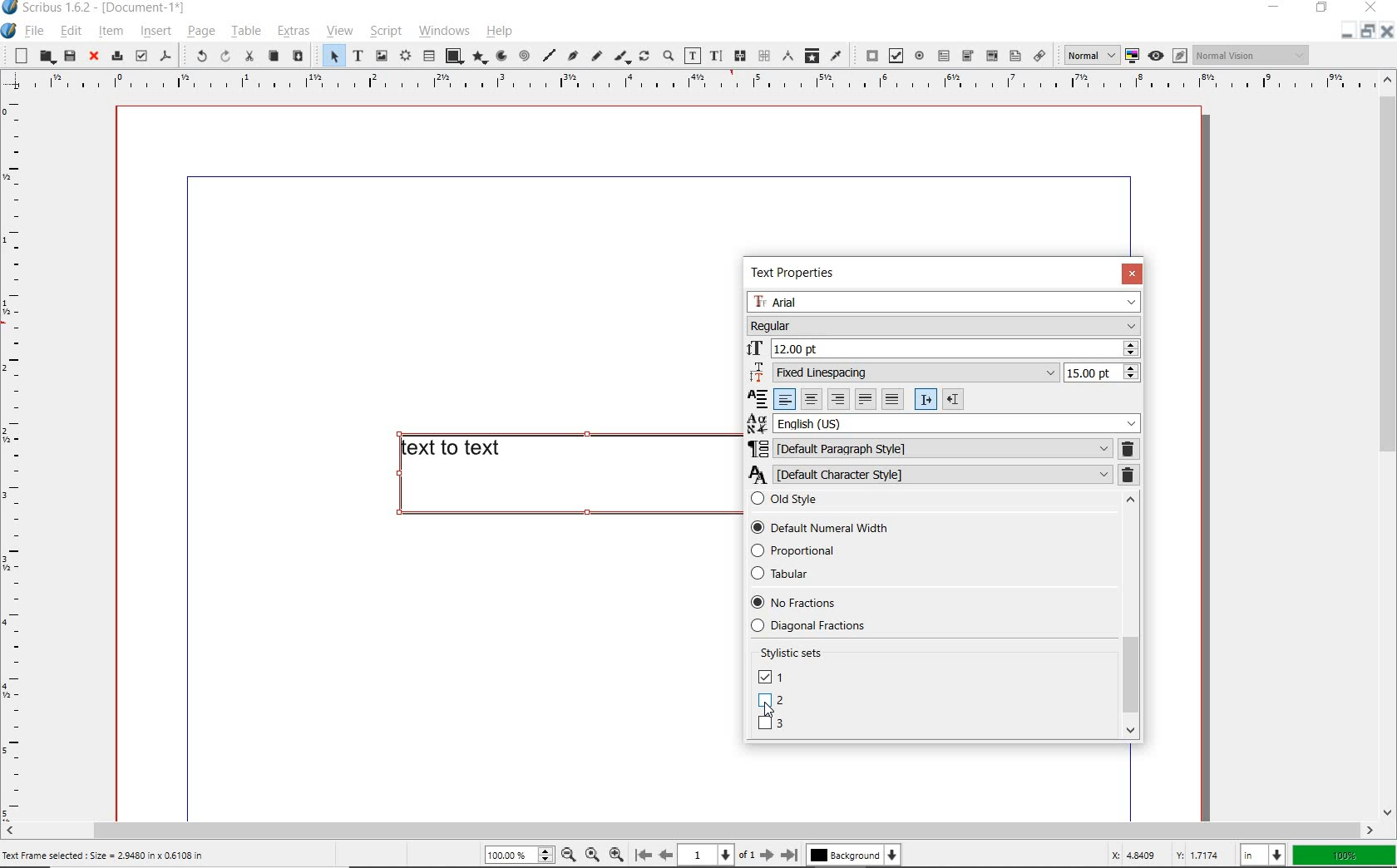 The width and height of the screenshot is (1397, 868). Describe the element at coordinates (245, 32) in the screenshot. I see `table` at that location.